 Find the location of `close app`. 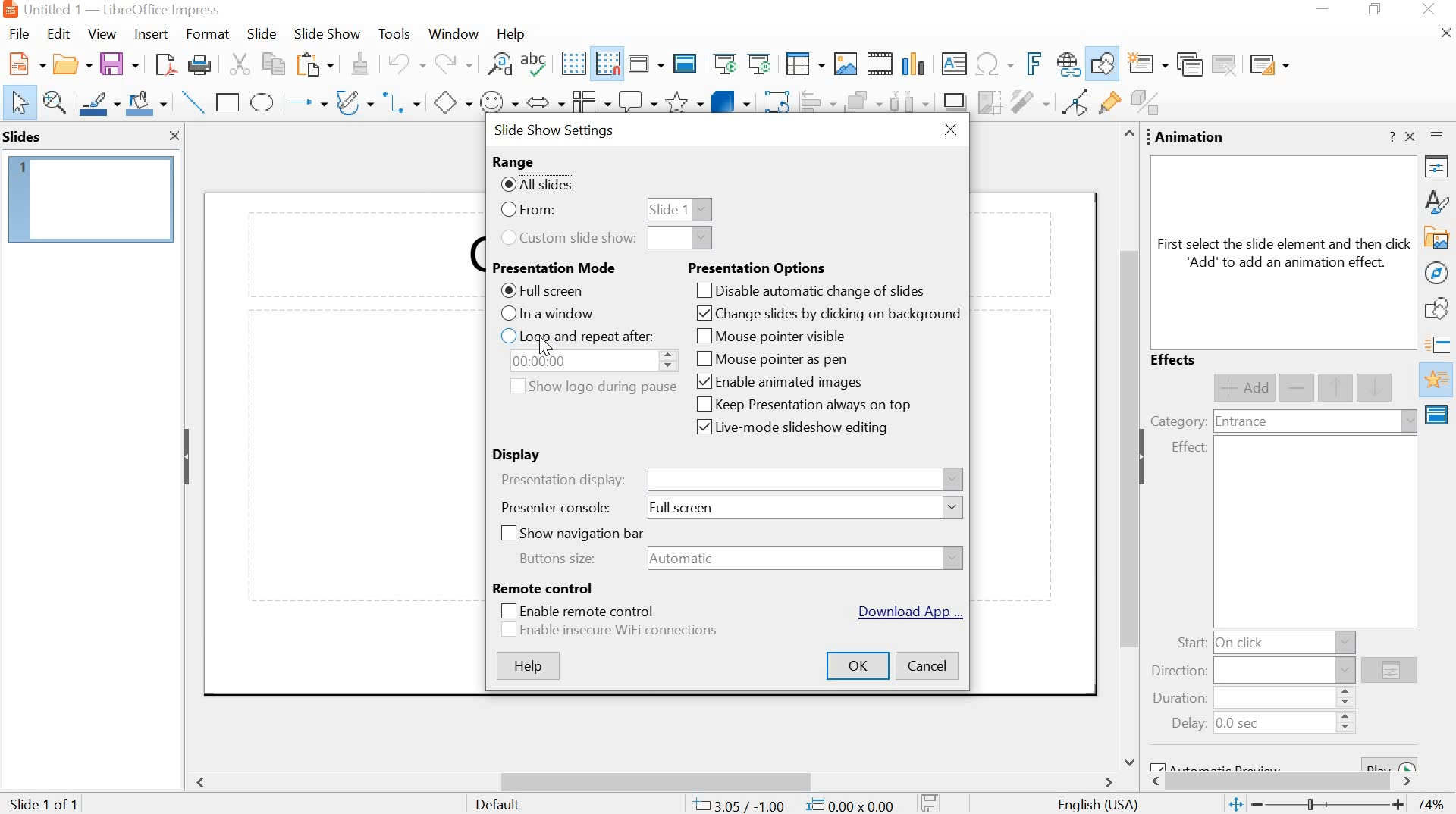

close app is located at coordinates (1430, 11).